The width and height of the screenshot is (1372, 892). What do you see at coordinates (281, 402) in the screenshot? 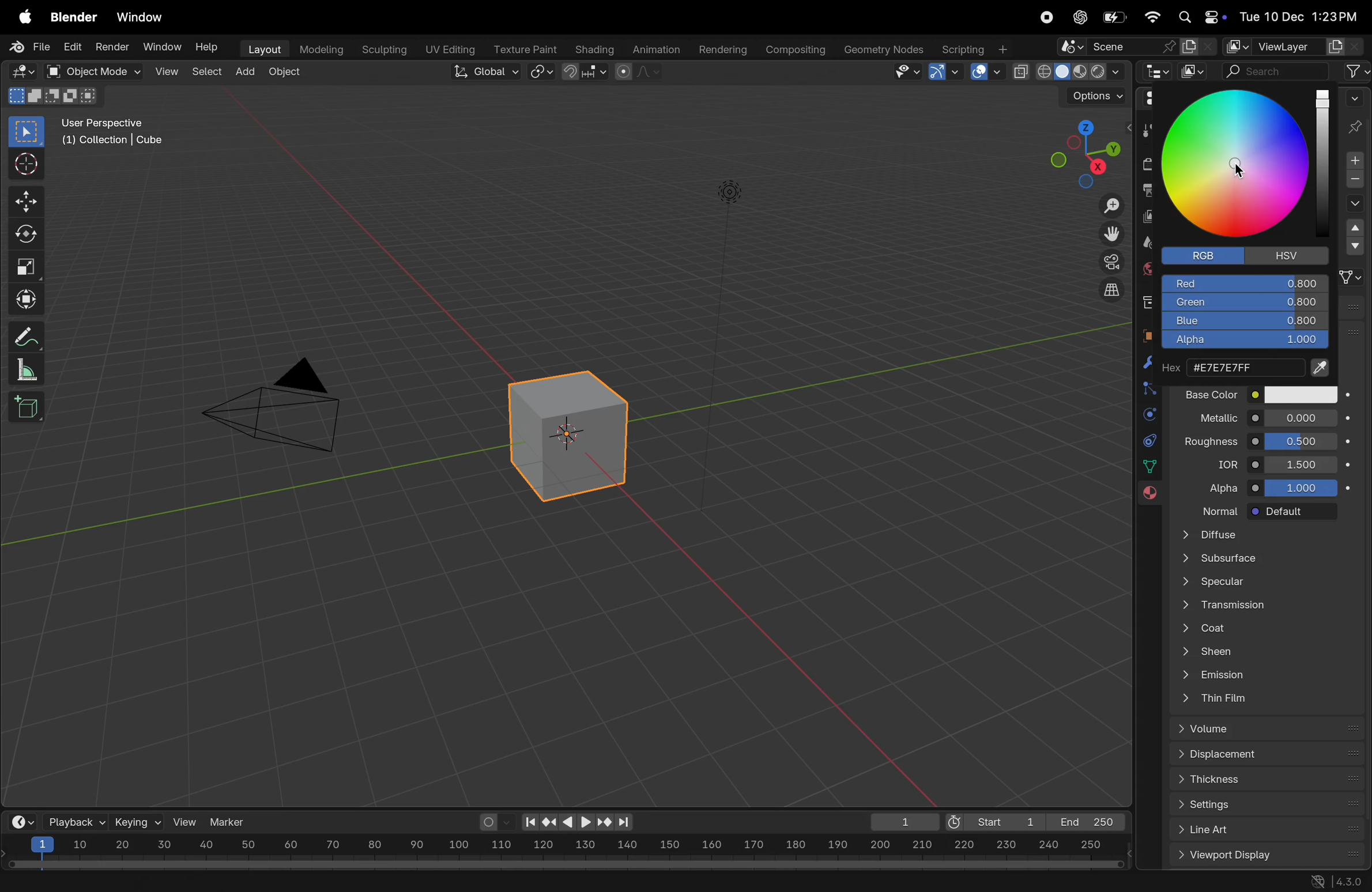
I see `camera view ` at bounding box center [281, 402].